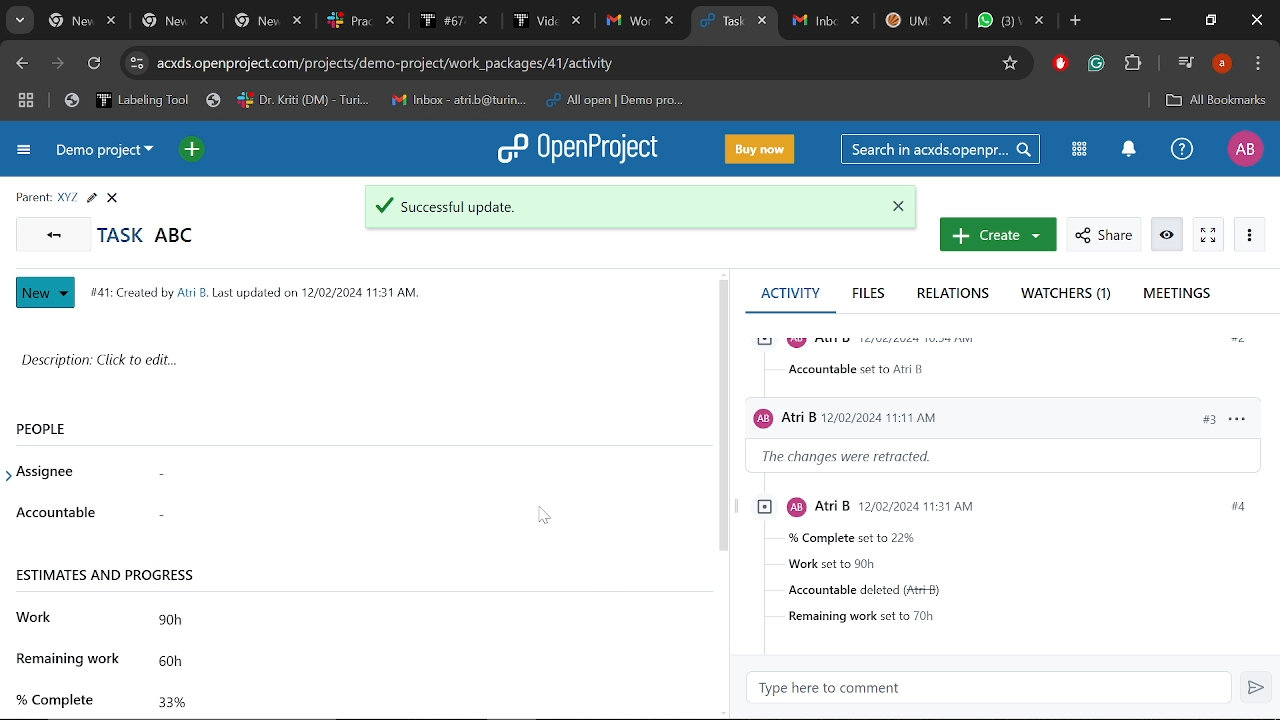 The height and width of the screenshot is (720, 1280). Describe the element at coordinates (404, 468) in the screenshot. I see `Assignee` at that location.